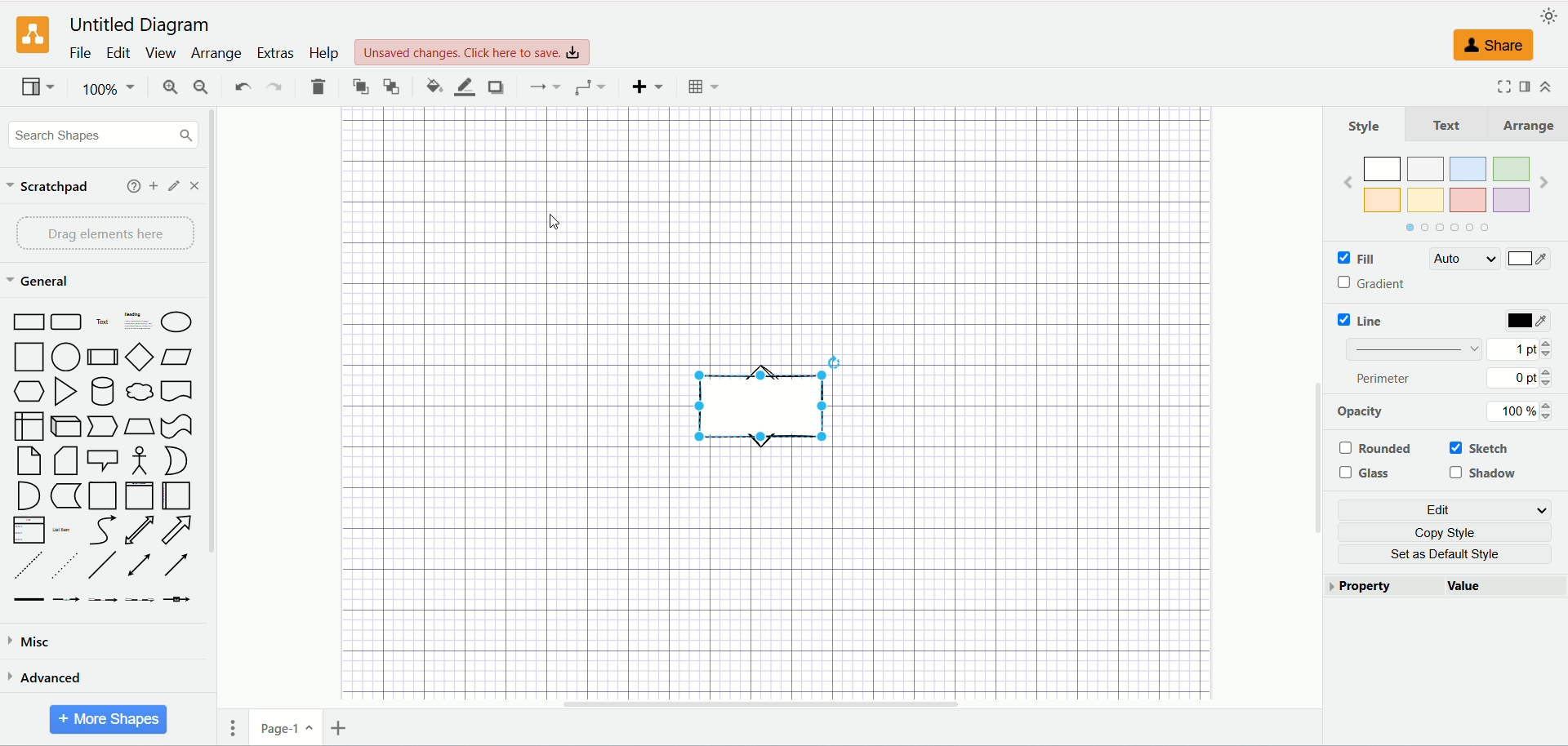  What do you see at coordinates (1467, 260) in the screenshot?
I see `auto` at bounding box center [1467, 260].